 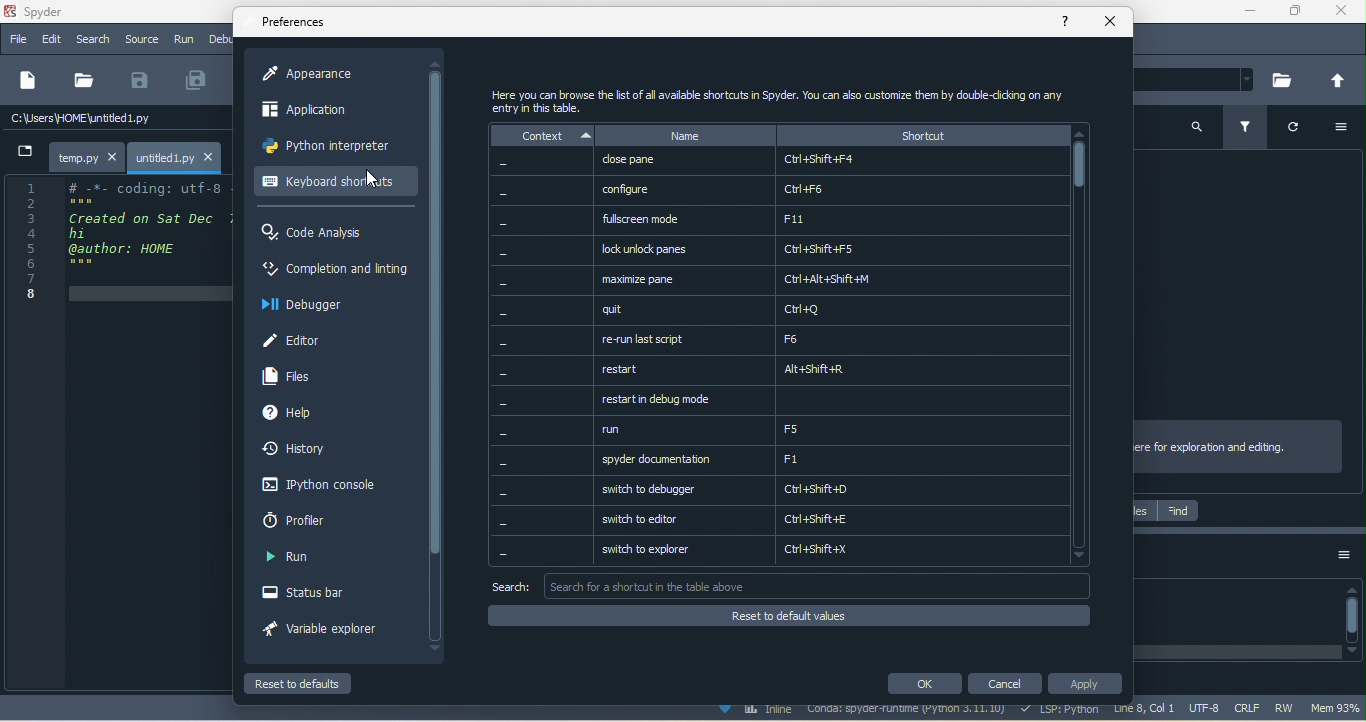 What do you see at coordinates (1289, 130) in the screenshot?
I see `refresh` at bounding box center [1289, 130].